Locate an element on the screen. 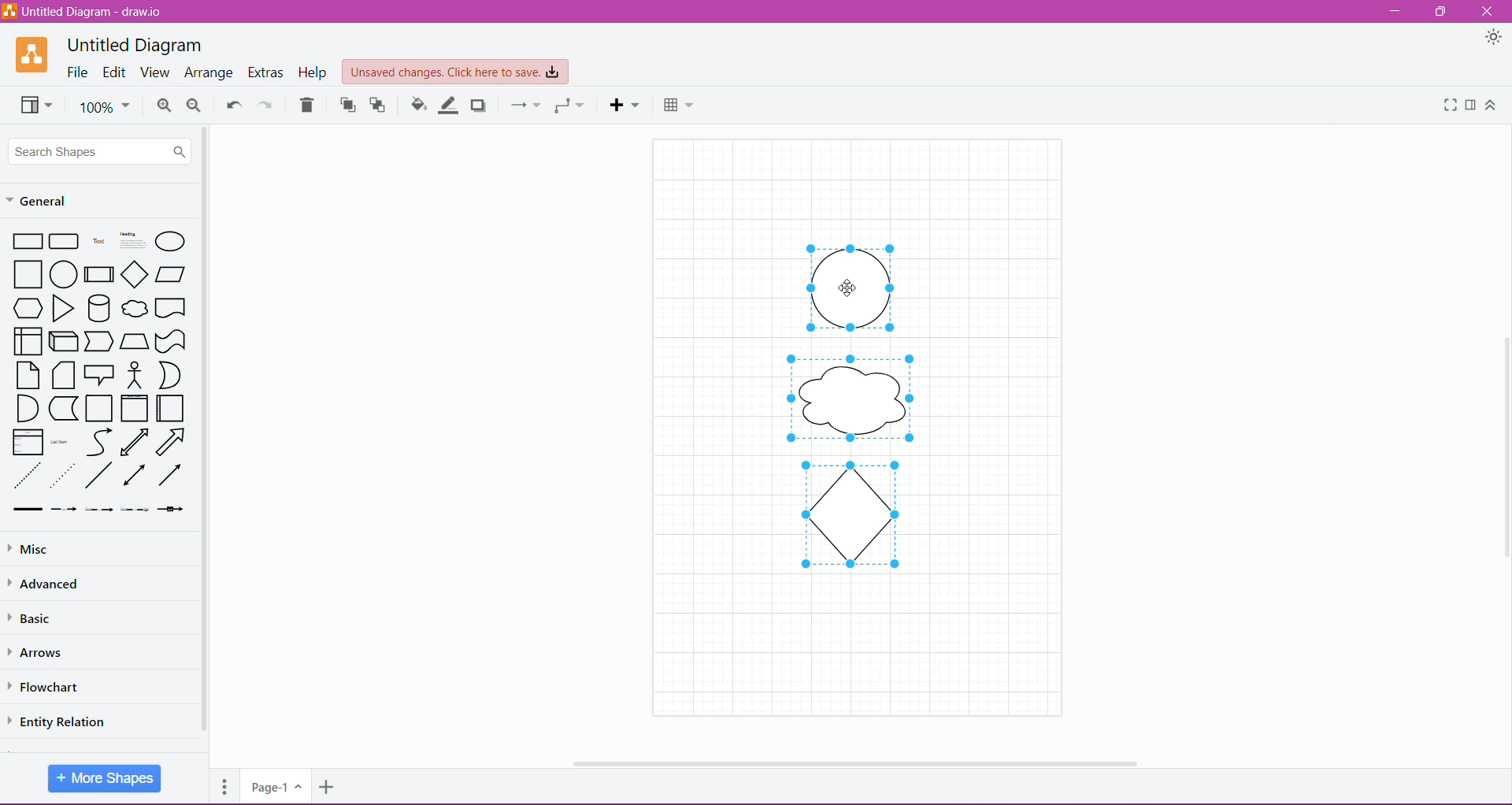  Format is located at coordinates (1471, 105).